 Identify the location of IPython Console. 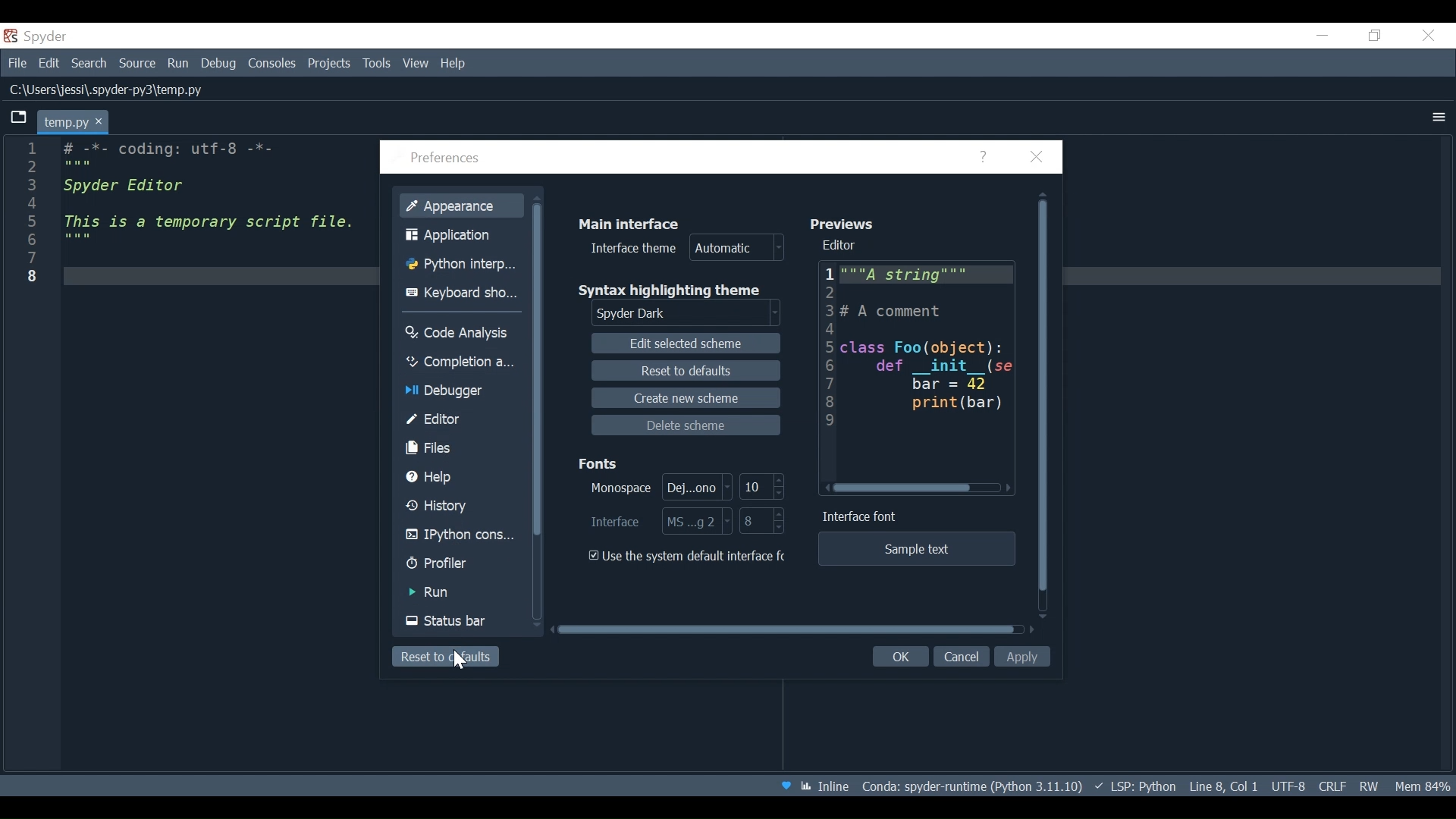
(461, 537).